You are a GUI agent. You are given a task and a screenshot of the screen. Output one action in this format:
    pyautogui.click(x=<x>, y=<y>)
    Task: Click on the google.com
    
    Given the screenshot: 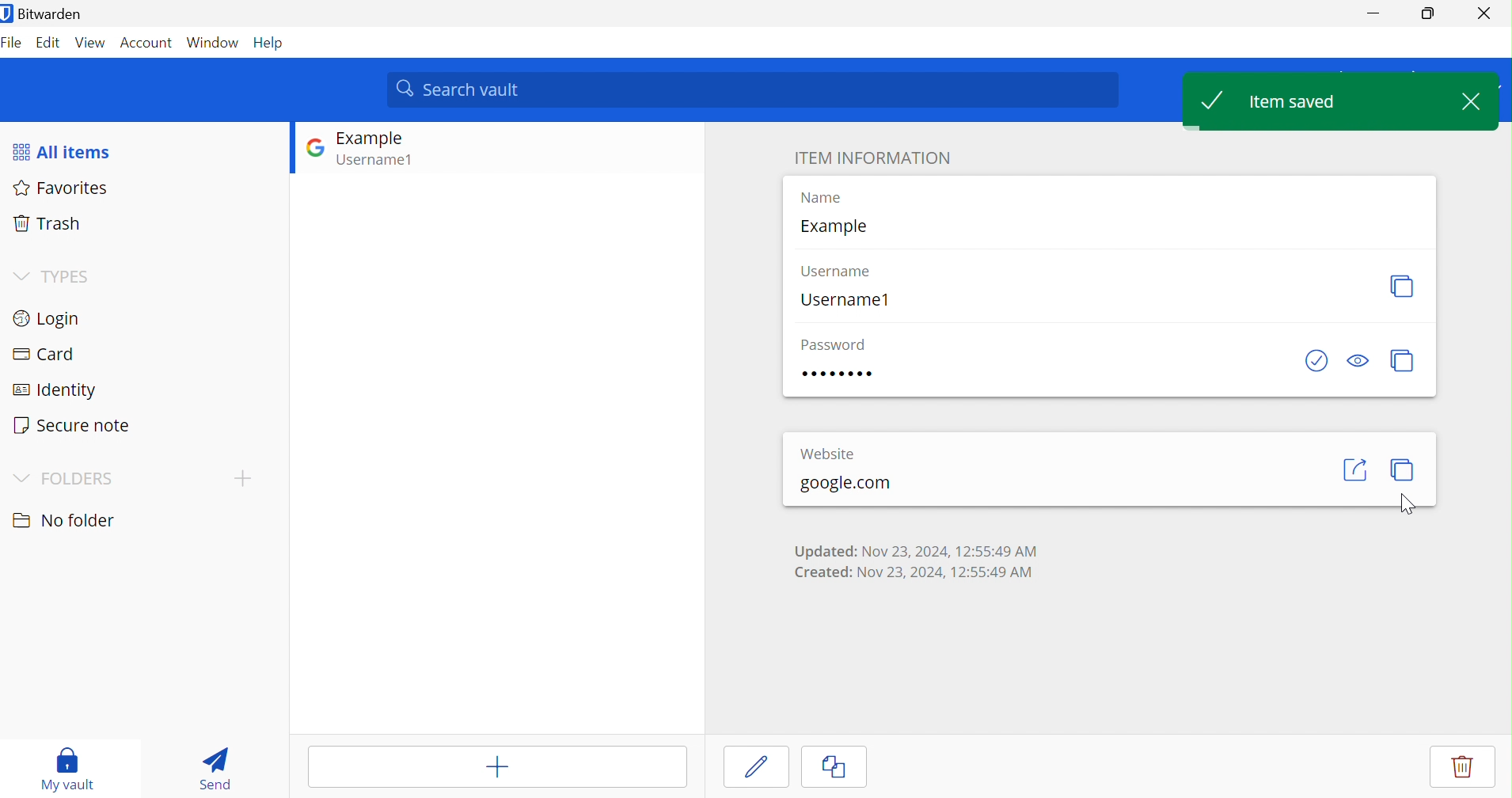 What is the action you would take?
    pyautogui.click(x=844, y=484)
    